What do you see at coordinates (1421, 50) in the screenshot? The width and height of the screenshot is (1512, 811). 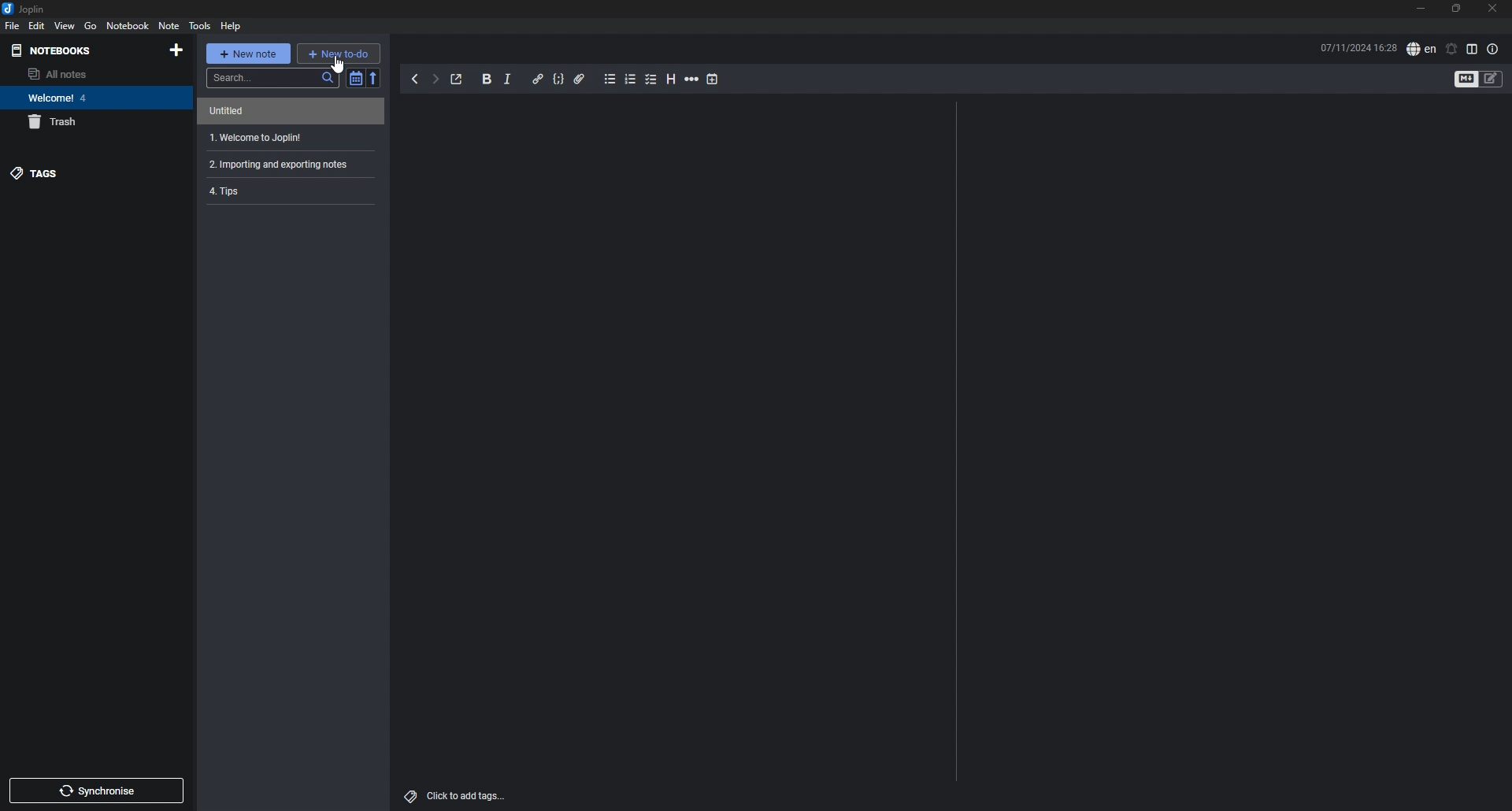 I see `spell check` at bounding box center [1421, 50].